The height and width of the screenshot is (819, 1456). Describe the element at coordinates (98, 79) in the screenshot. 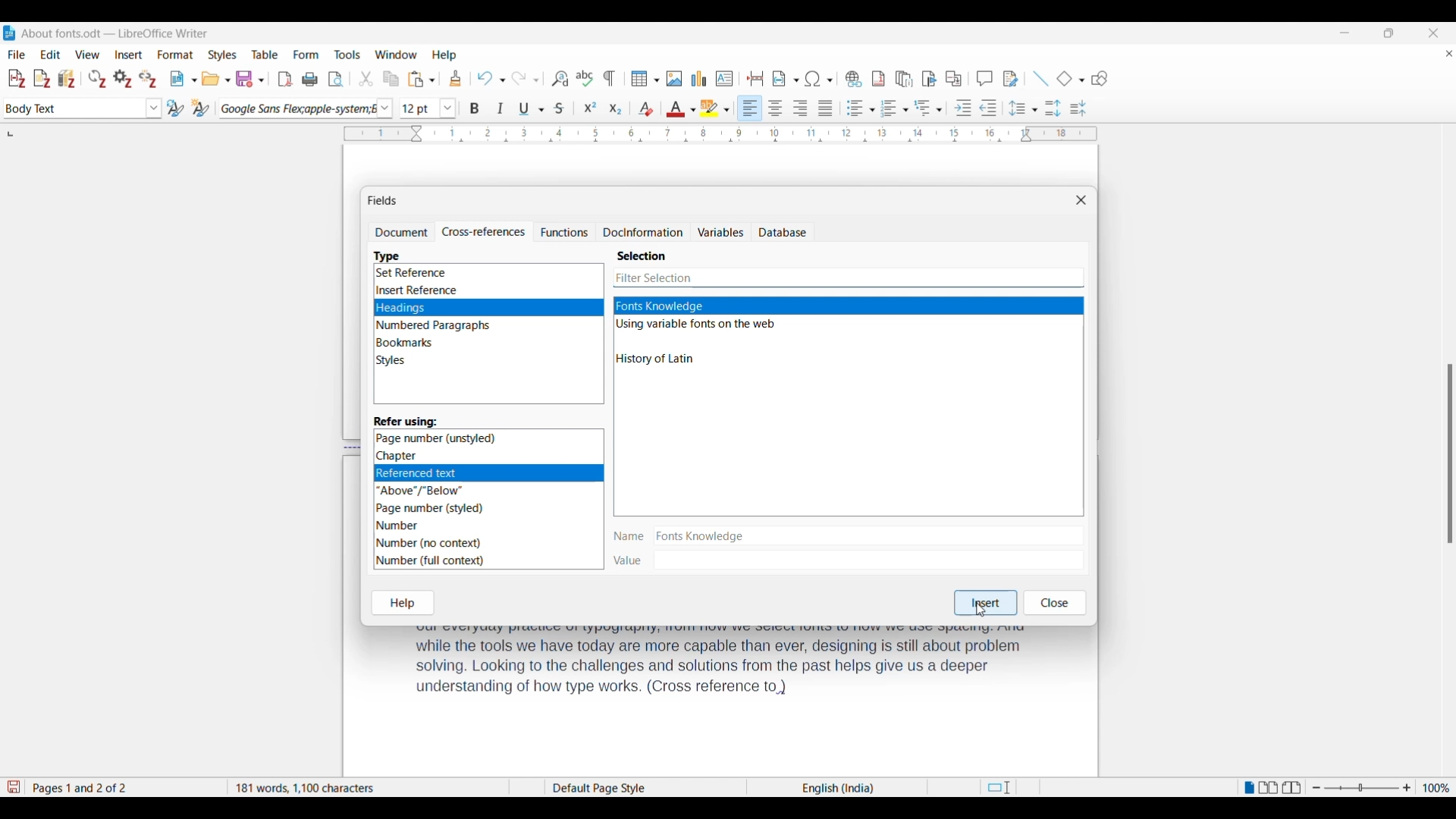

I see `Refresh` at that location.